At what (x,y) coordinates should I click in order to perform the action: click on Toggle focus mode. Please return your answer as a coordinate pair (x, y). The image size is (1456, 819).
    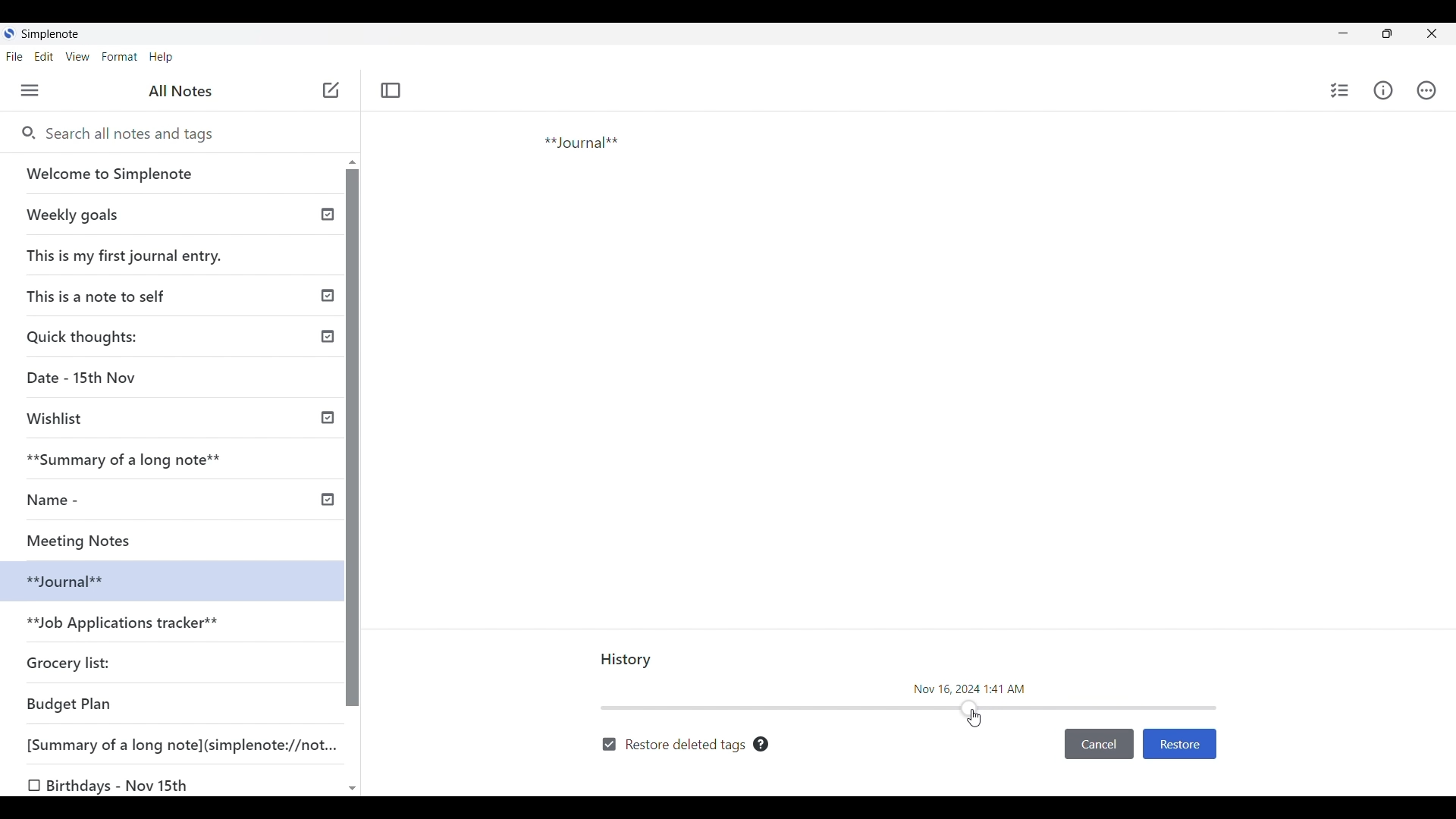
    Looking at the image, I should click on (391, 90).